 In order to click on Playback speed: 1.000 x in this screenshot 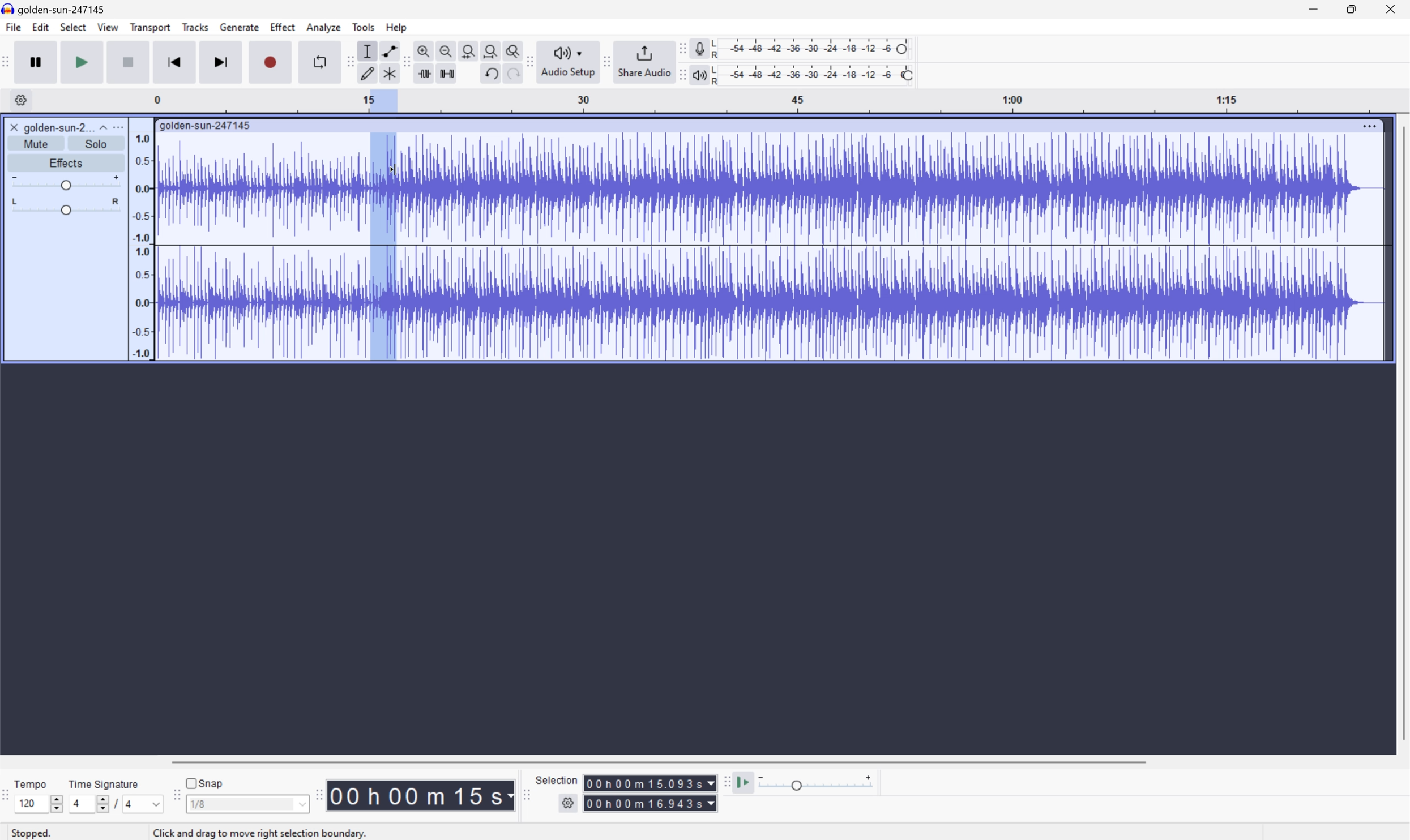, I will do `click(818, 783)`.